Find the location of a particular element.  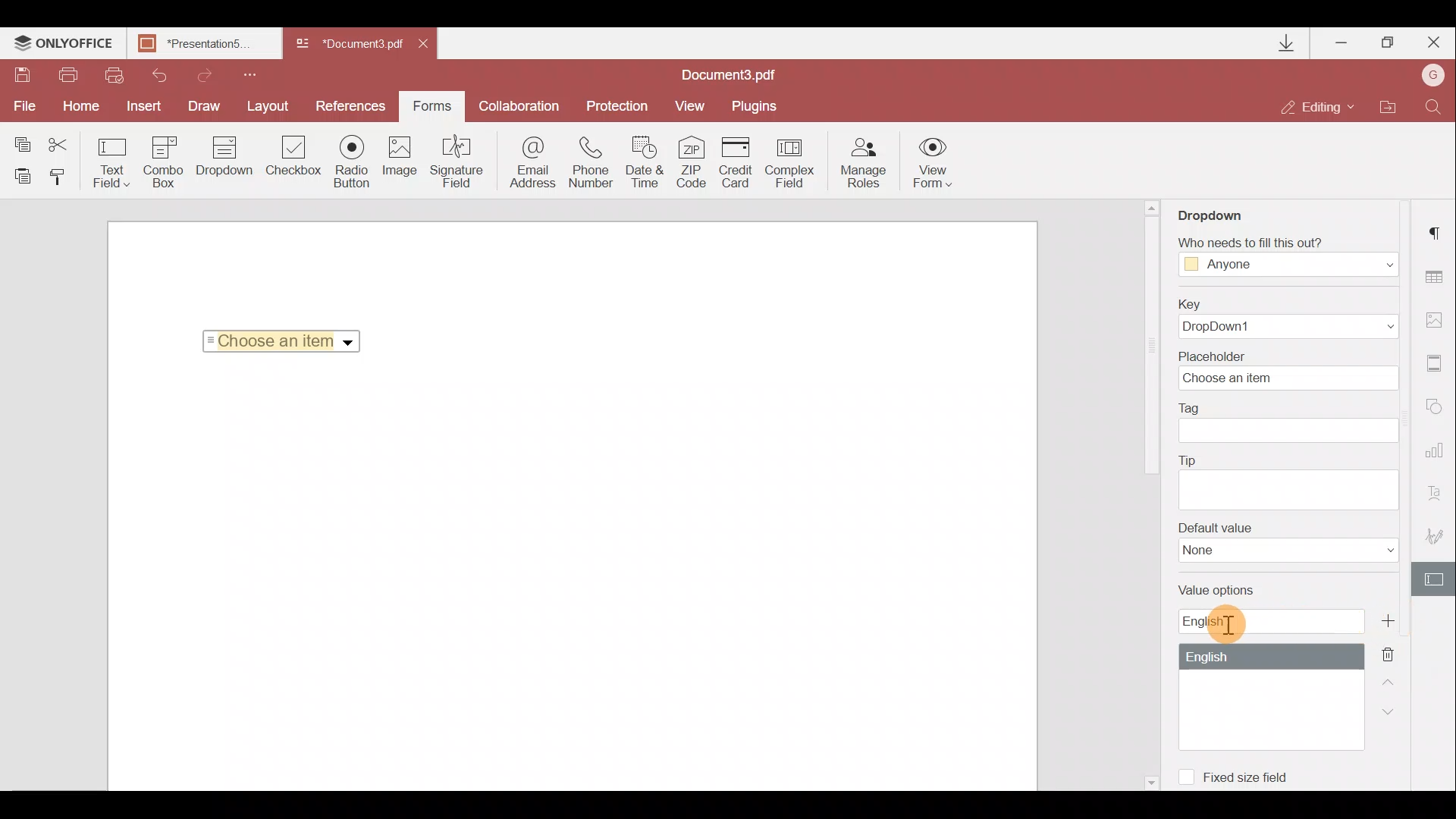

Phone number is located at coordinates (593, 163).